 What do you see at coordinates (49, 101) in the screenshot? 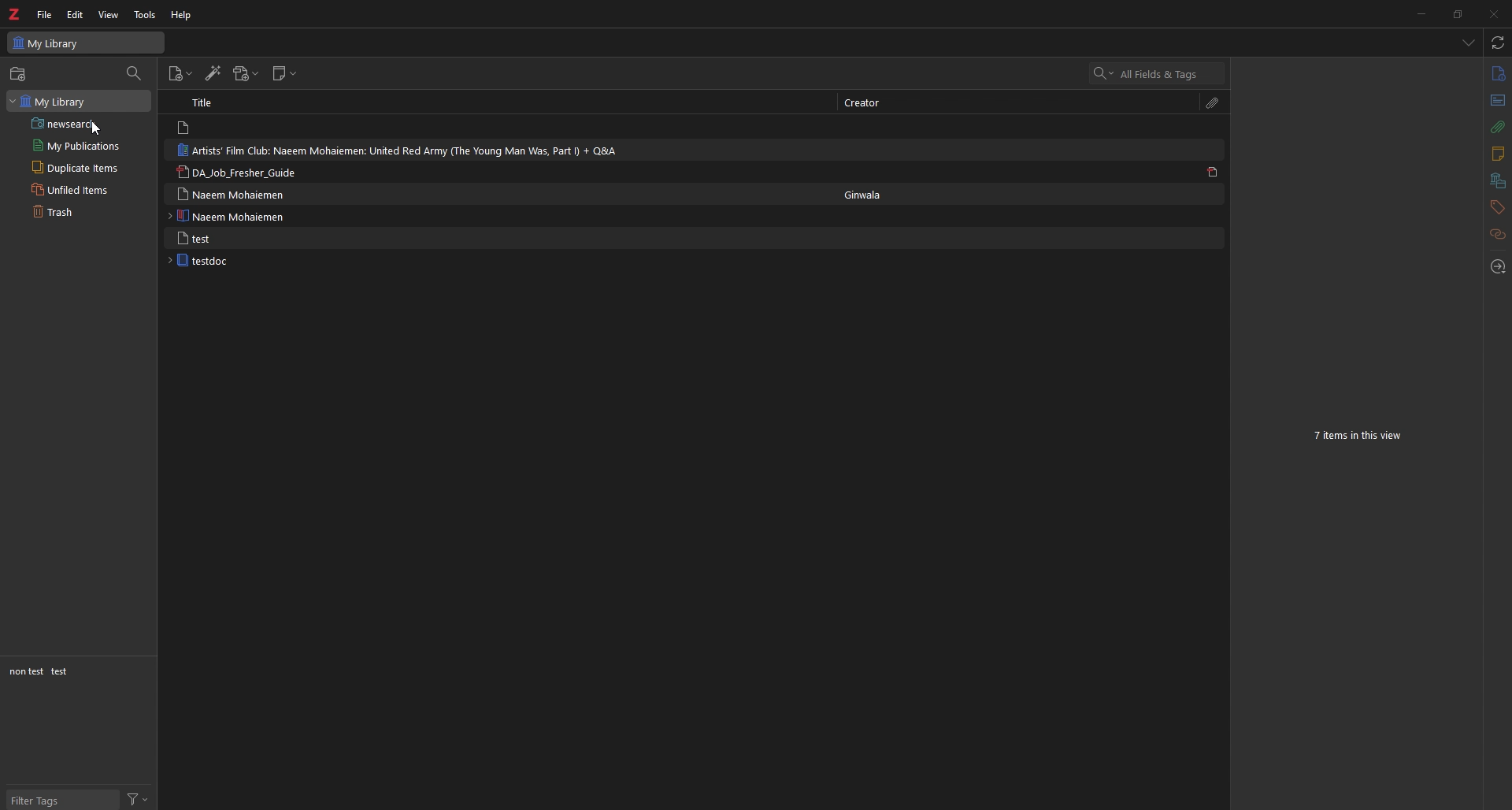
I see `My library` at bounding box center [49, 101].